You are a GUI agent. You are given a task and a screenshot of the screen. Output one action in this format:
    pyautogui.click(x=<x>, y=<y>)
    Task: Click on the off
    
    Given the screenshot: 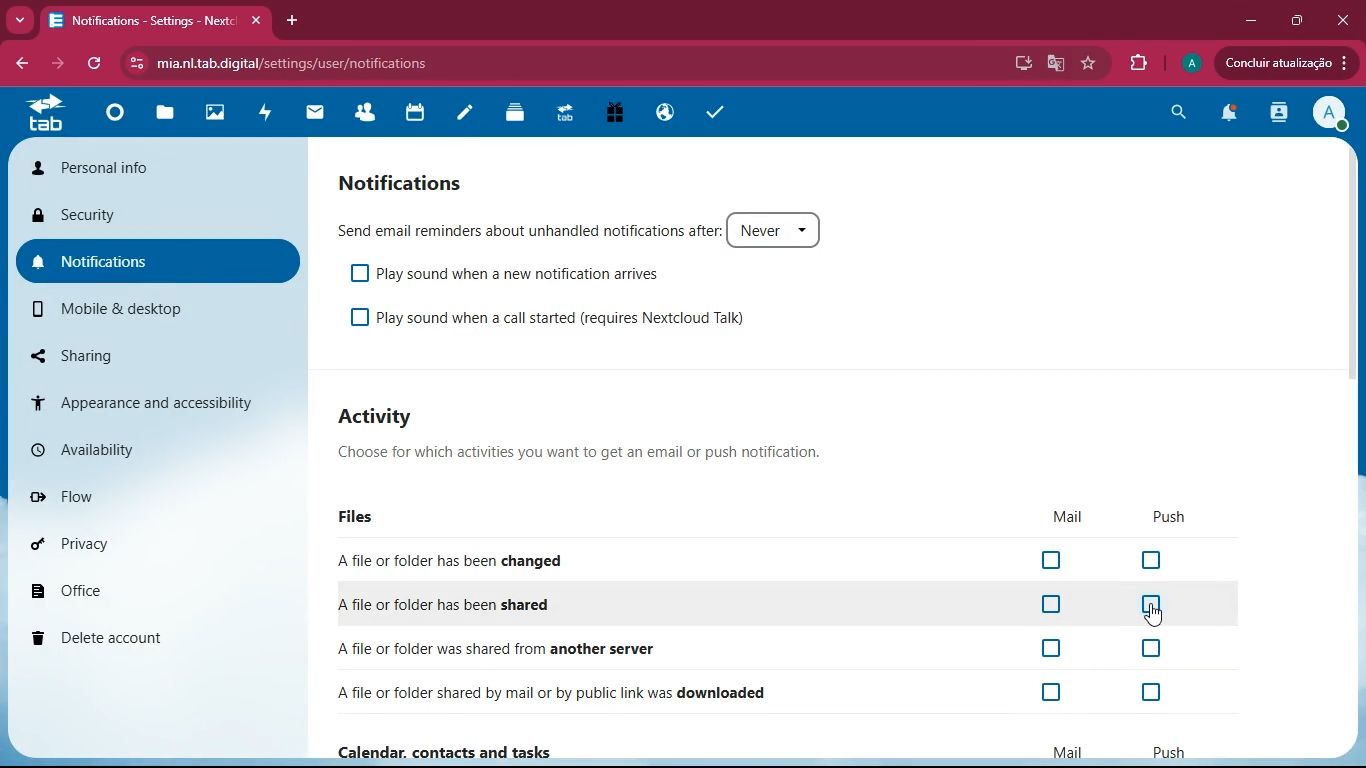 What is the action you would take?
    pyautogui.click(x=1159, y=694)
    